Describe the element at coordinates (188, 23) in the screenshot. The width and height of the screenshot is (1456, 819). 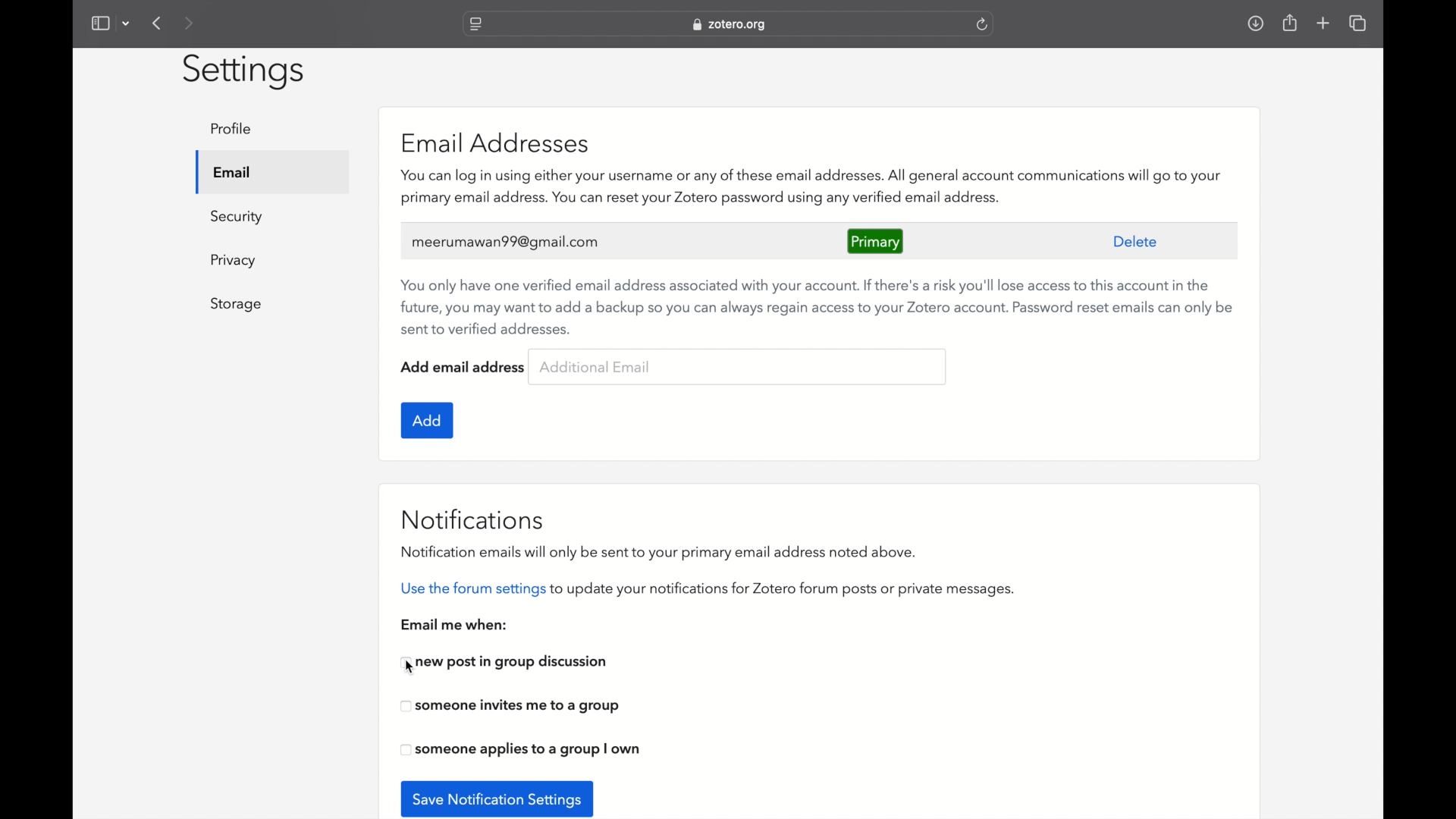
I see `next` at that location.